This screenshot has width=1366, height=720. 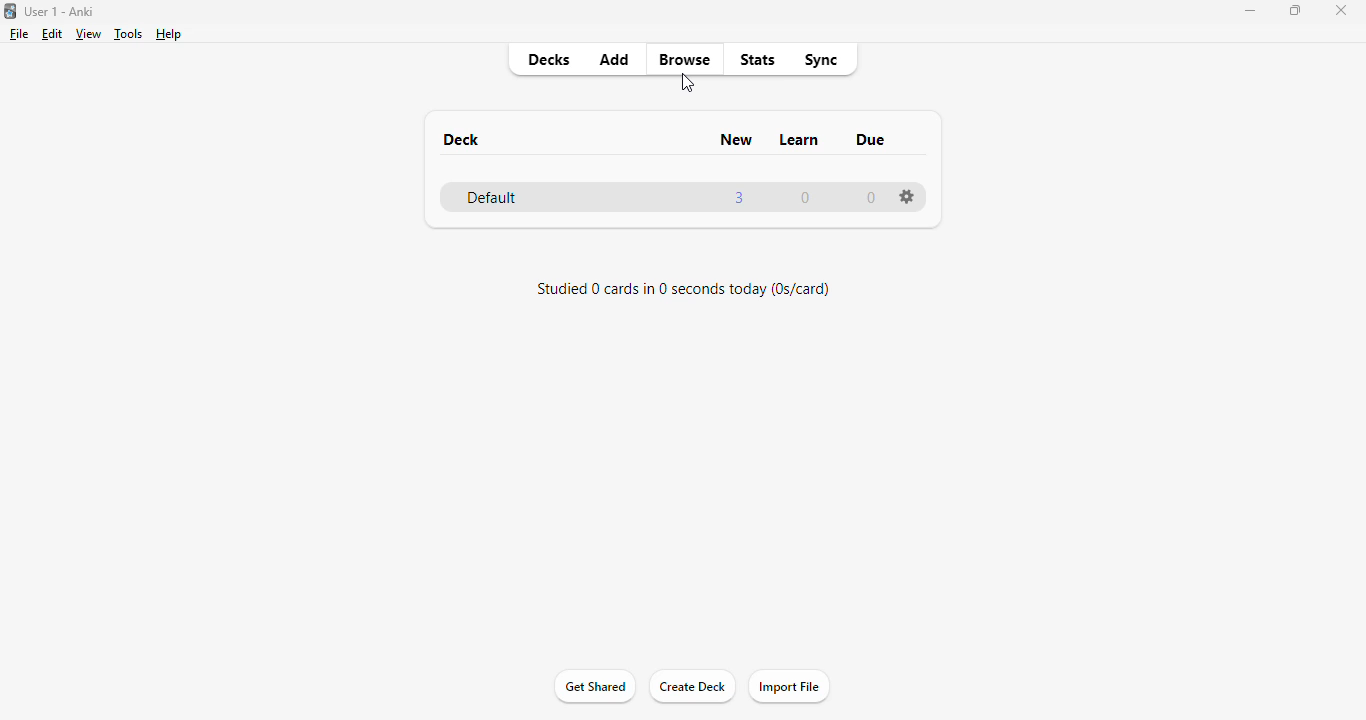 I want to click on add, so click(x=616, y=60).